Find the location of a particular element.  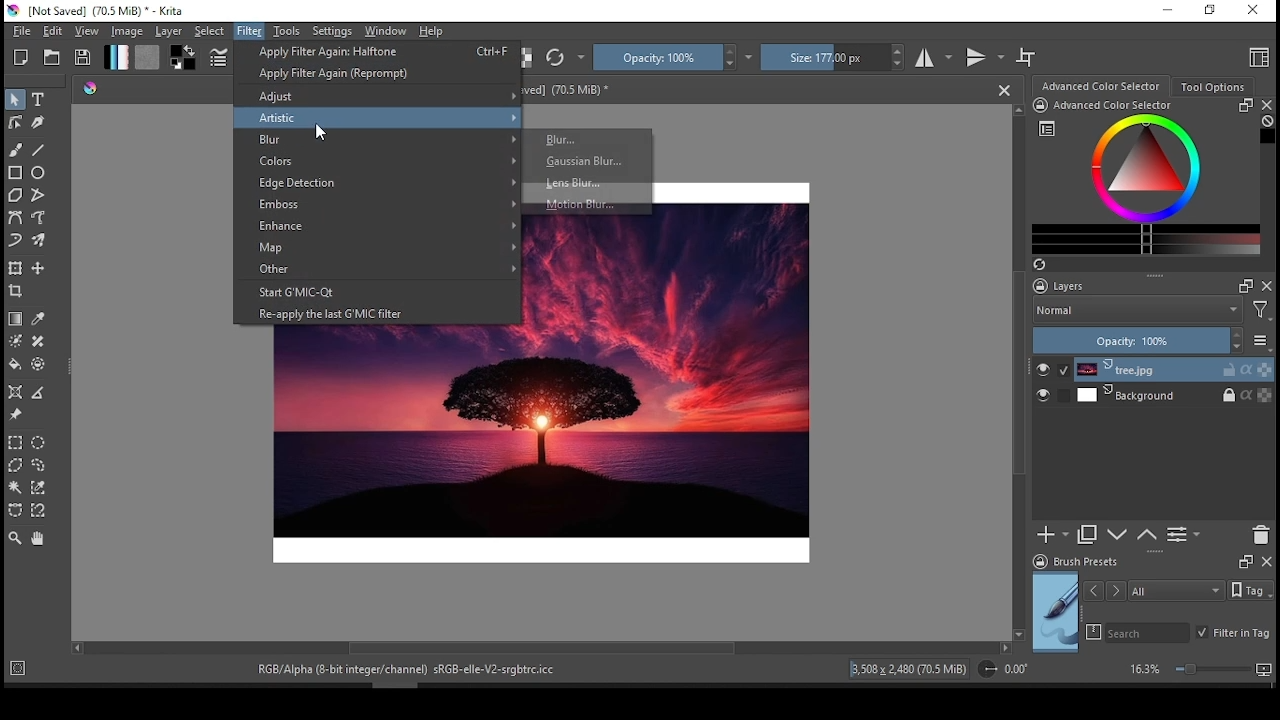

bezier curve selection tool is located at coordinates (17, 511).